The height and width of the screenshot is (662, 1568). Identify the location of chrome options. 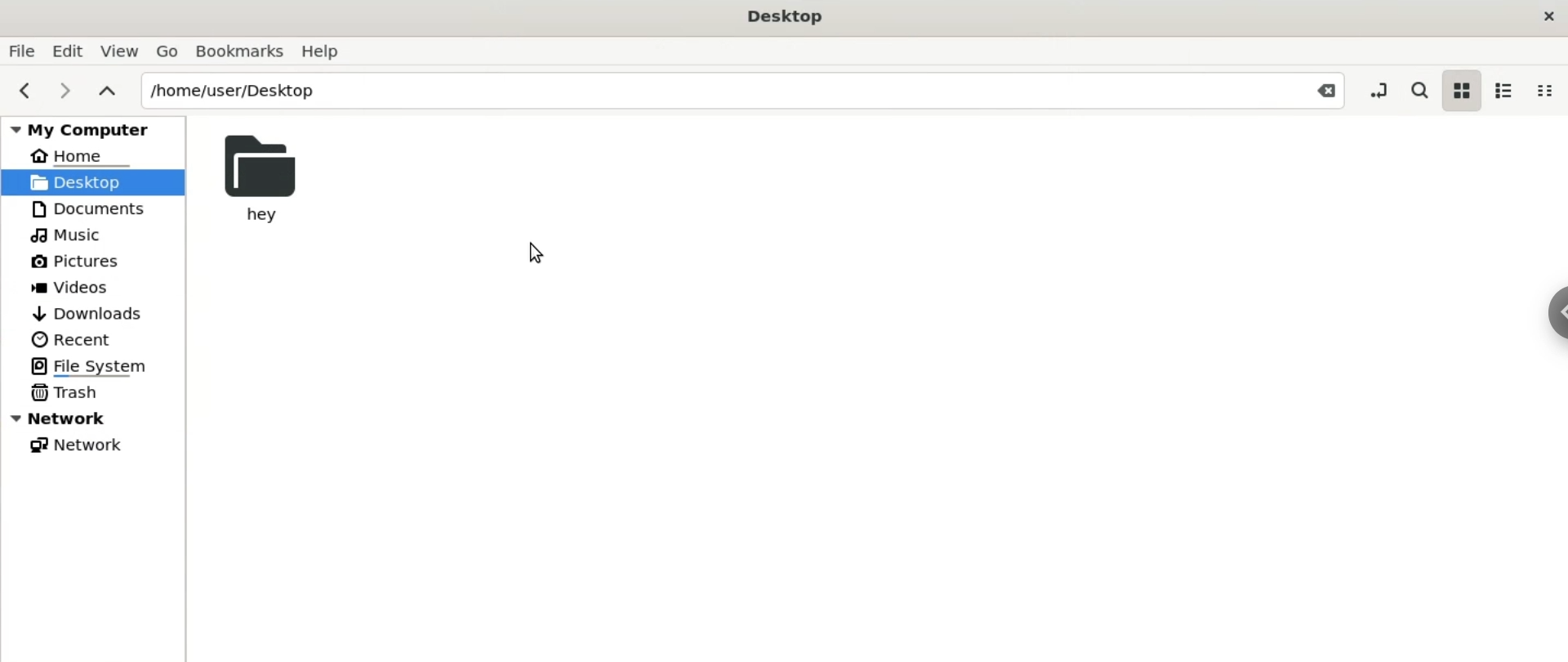
(1558, 314).